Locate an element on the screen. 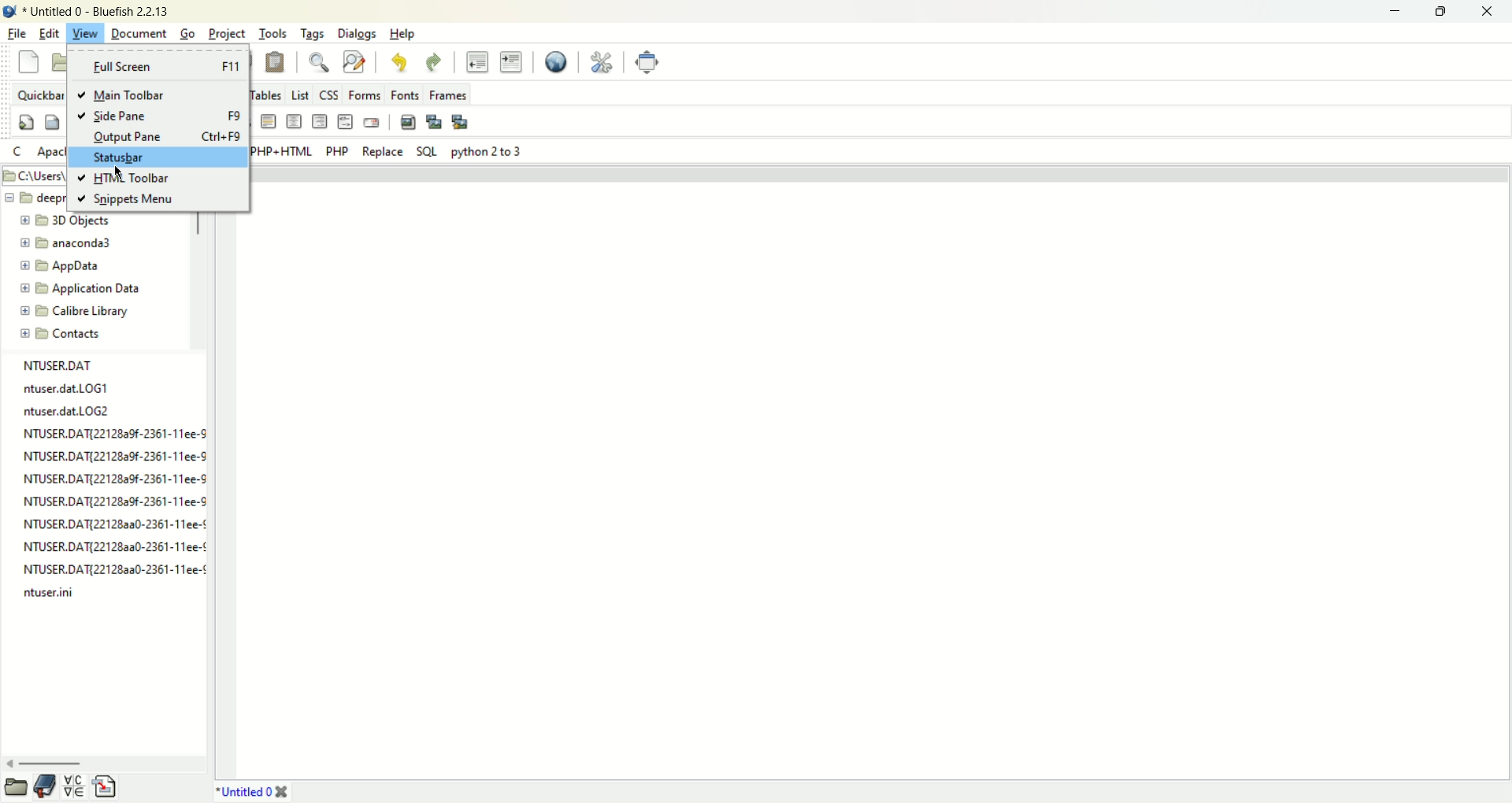 Image resolution: width=1512 pixels, height=803 pixels. editor is located at coordinates (880, 473).